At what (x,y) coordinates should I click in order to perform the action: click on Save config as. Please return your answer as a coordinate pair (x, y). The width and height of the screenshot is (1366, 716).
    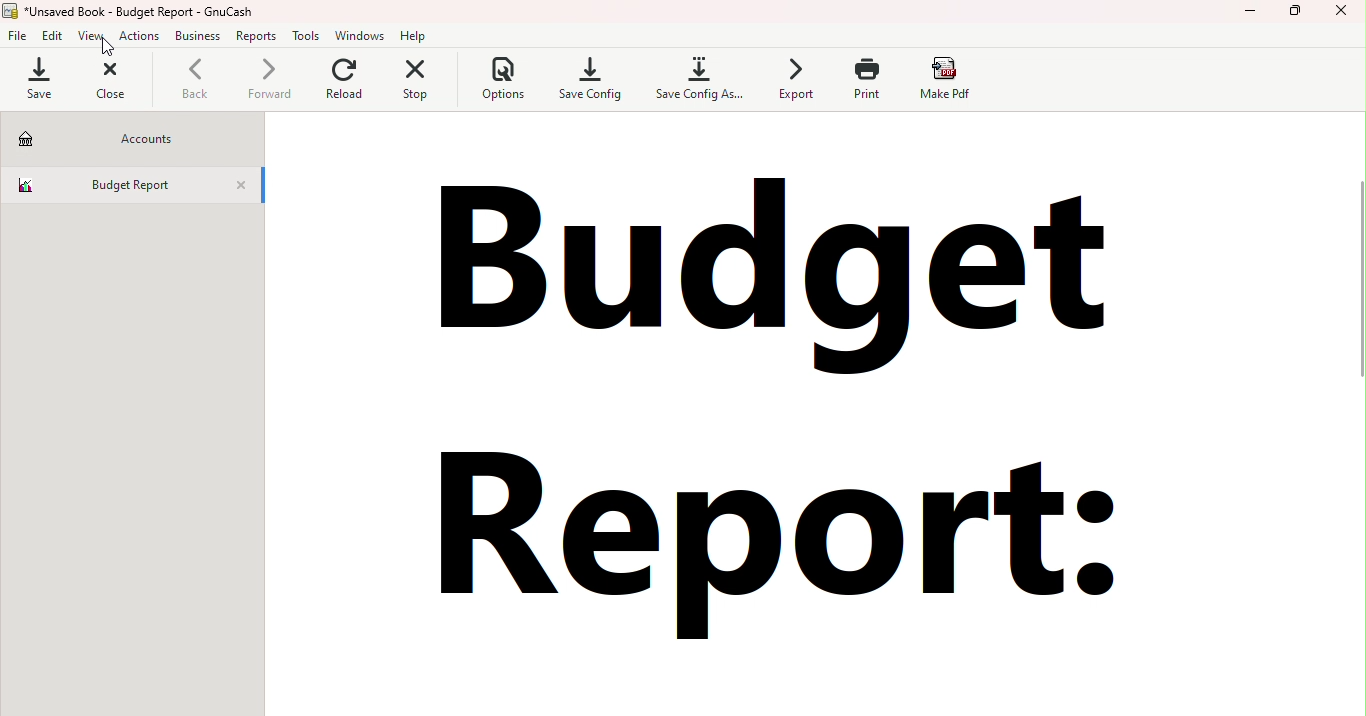
    Looking at the image, I should click on (702, 79).